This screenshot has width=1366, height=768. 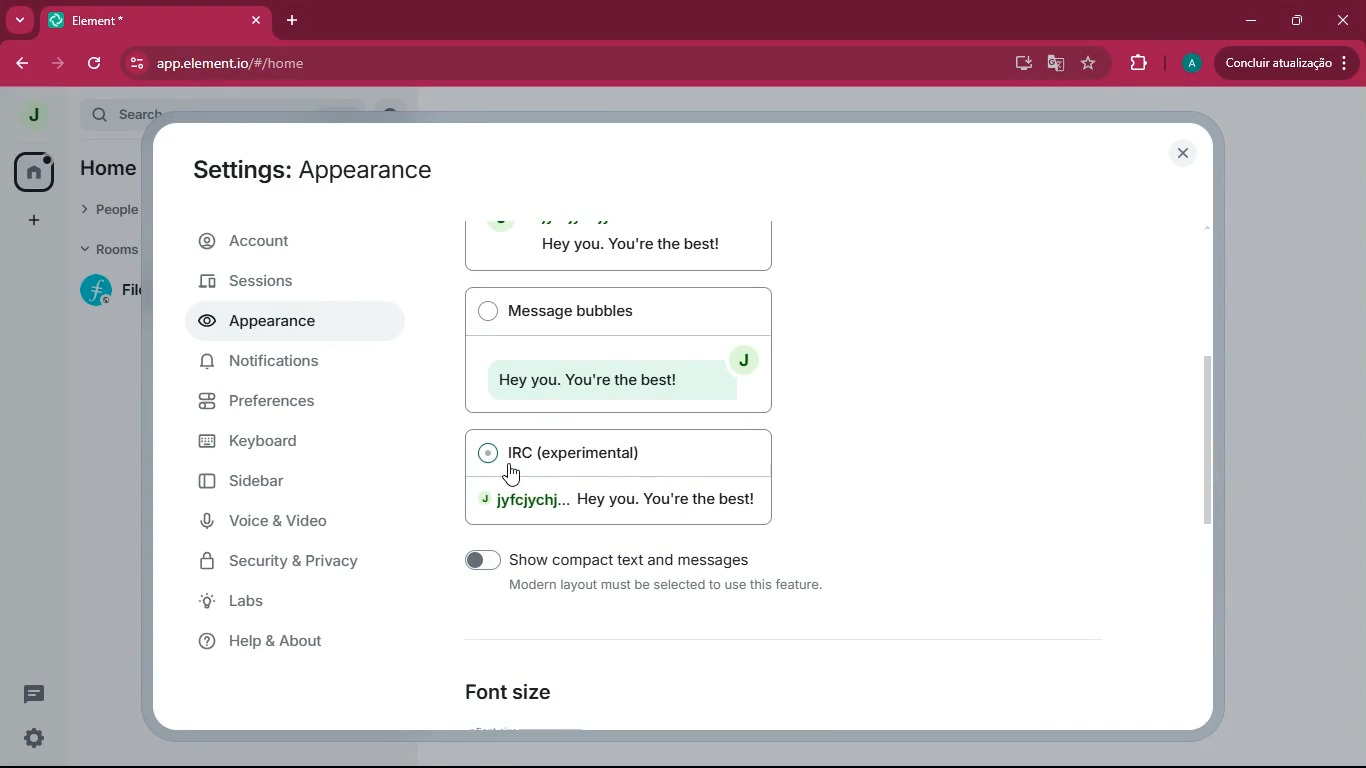 What do you see at coordinates (20, 61) in the screenshot?
I see `back` at bounding box center [20, 61].